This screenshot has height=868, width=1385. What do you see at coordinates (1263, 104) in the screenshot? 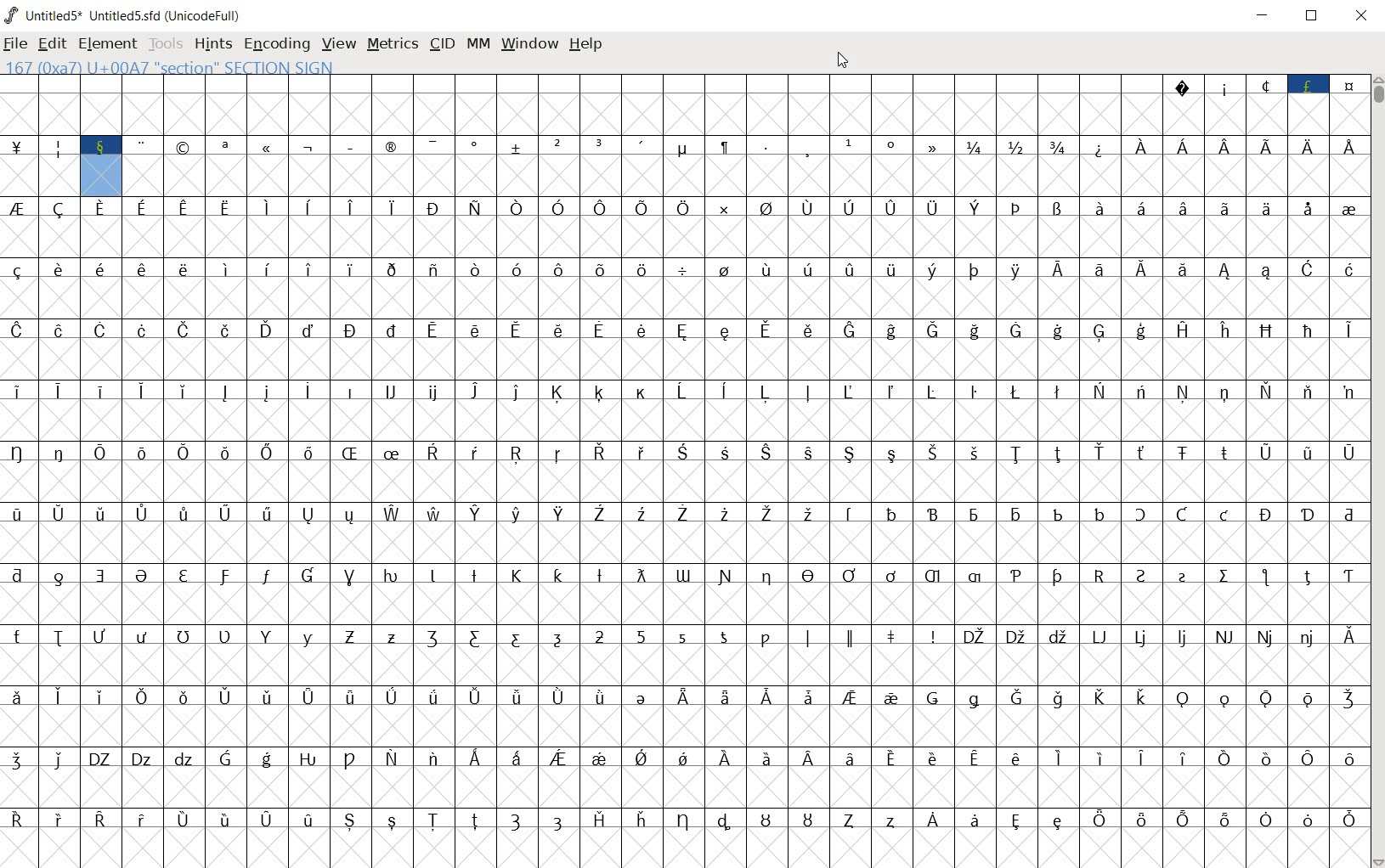
I see `special characters` at bounding box center [1263, 104].